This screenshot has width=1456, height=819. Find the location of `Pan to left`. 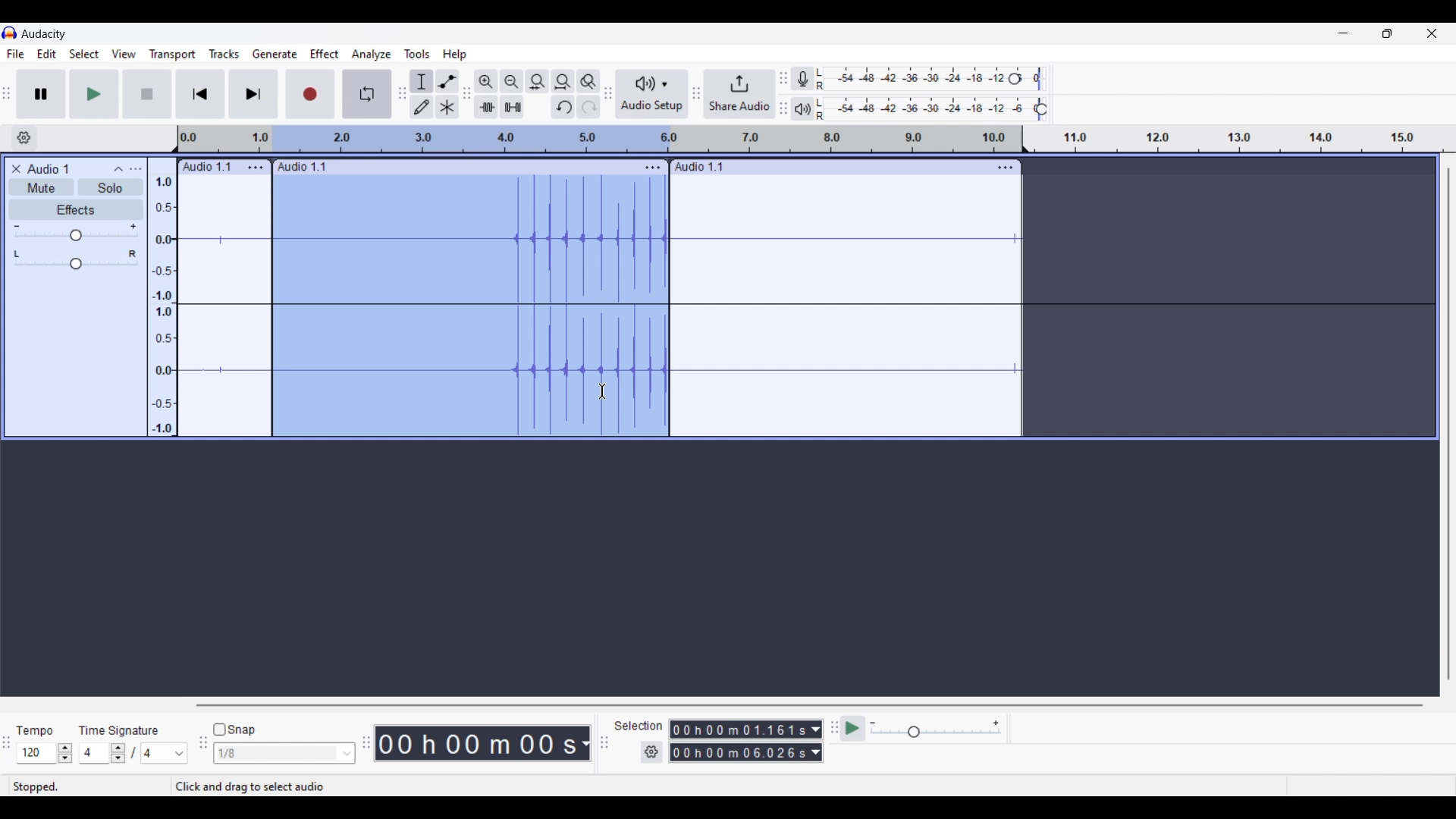

Pan to left is located at coordinates (17, 254).